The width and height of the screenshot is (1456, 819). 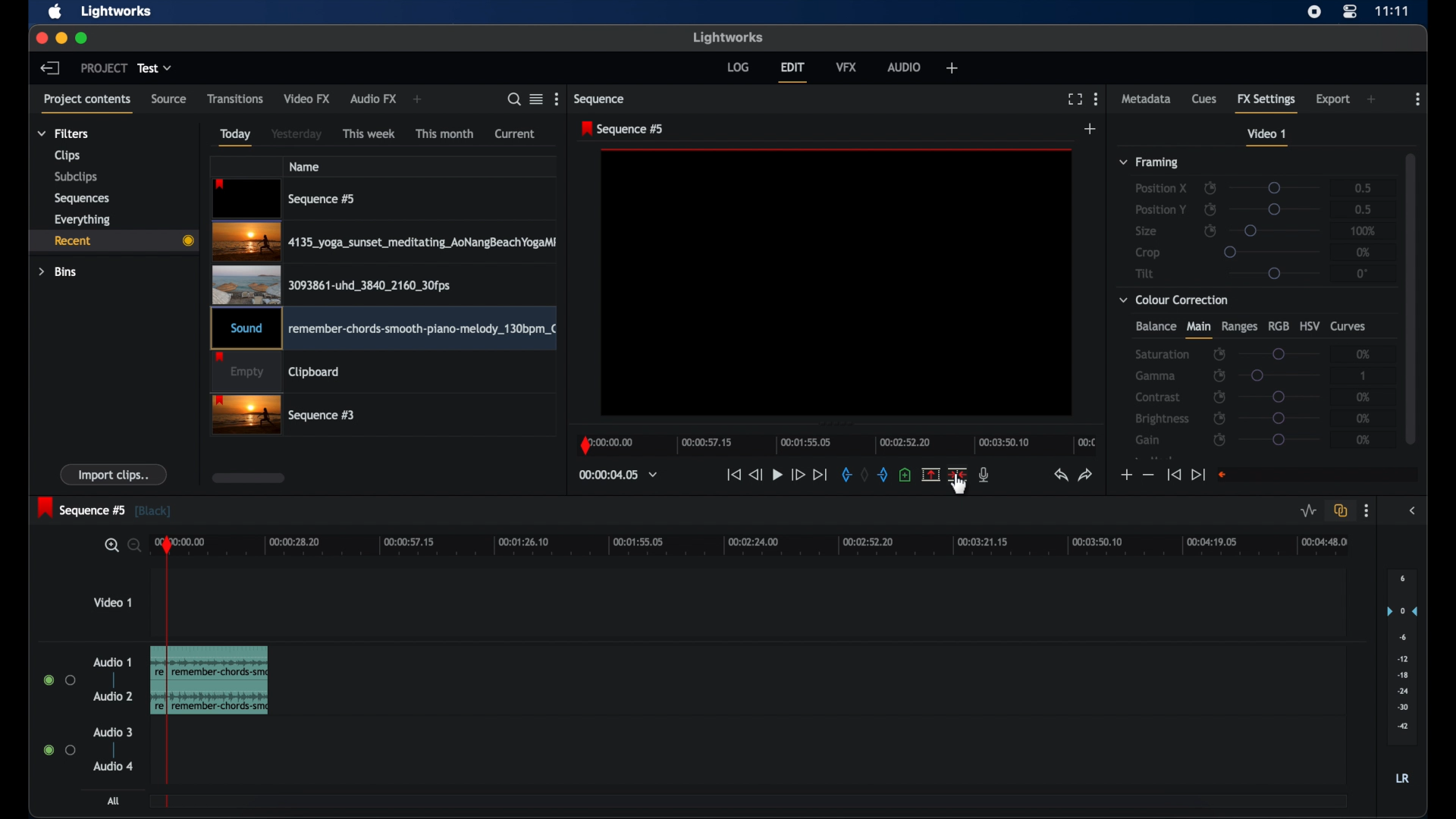 What do you see at coordinates (1360, 397) in the screenshot?
I see `0%` at bounding box center [1360, 397].